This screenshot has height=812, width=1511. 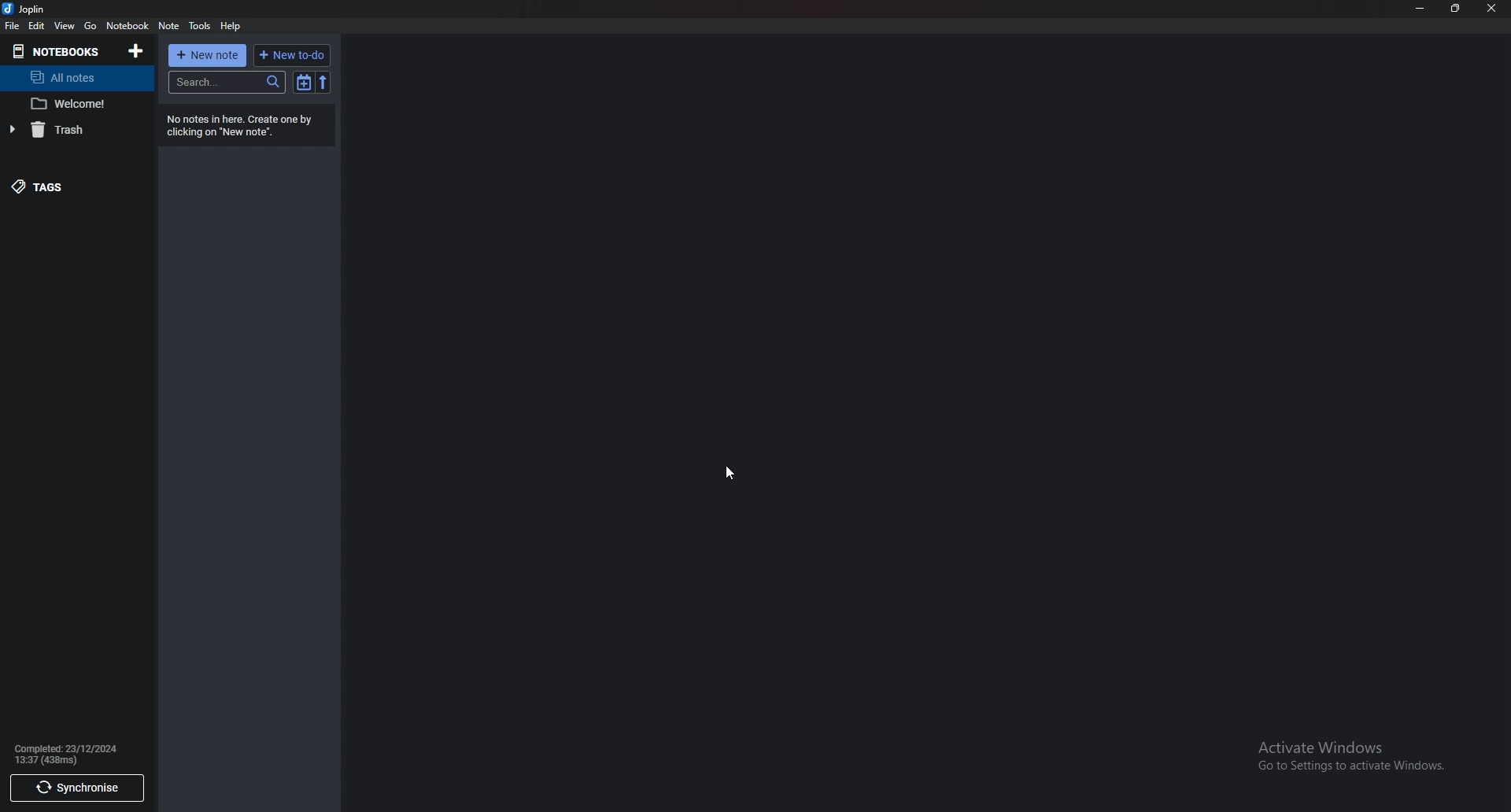 I want to click on View, so click(x=65, y=26).